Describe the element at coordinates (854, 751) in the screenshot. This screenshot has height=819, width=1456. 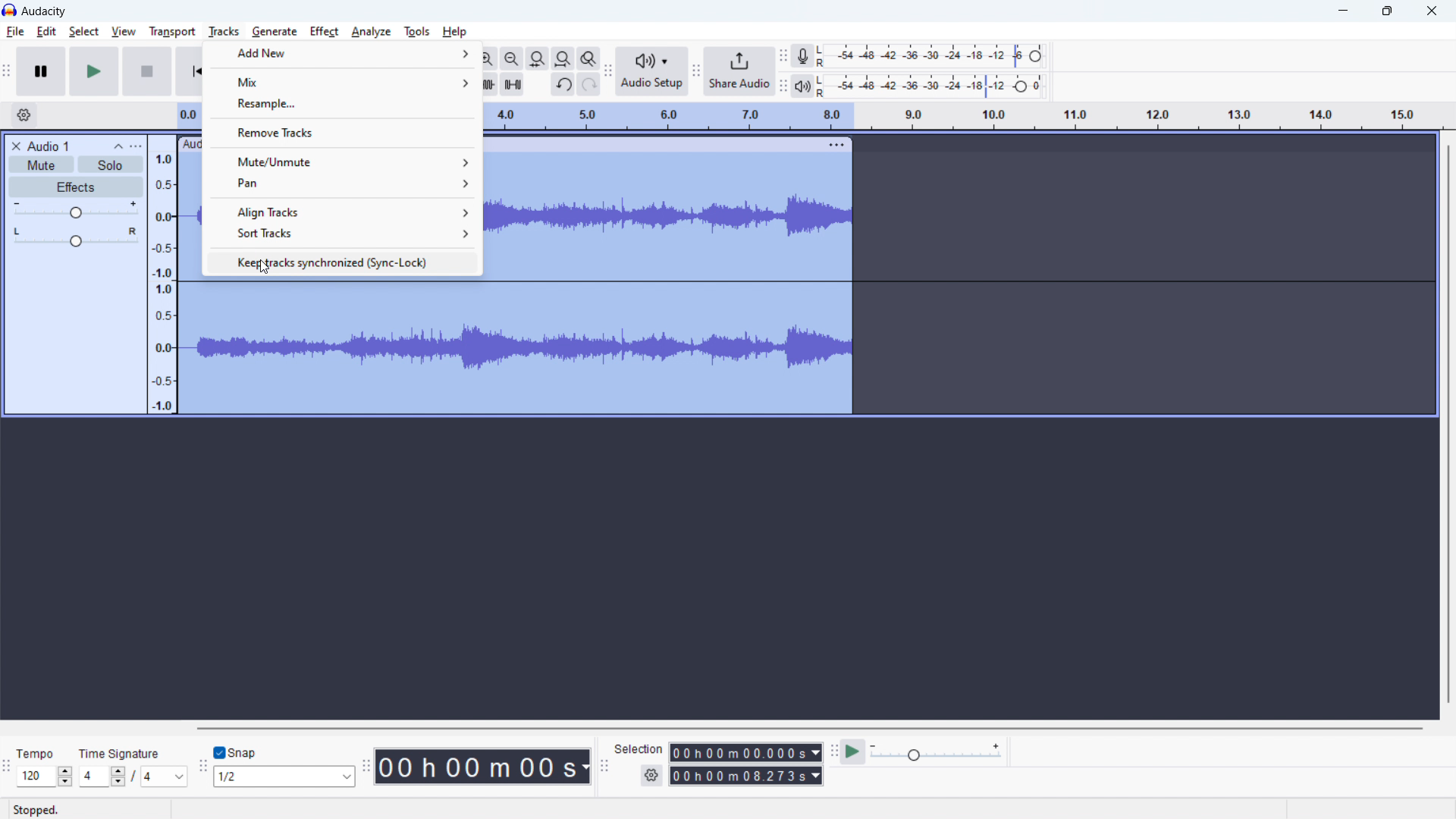
I see `play at speed` at that location.